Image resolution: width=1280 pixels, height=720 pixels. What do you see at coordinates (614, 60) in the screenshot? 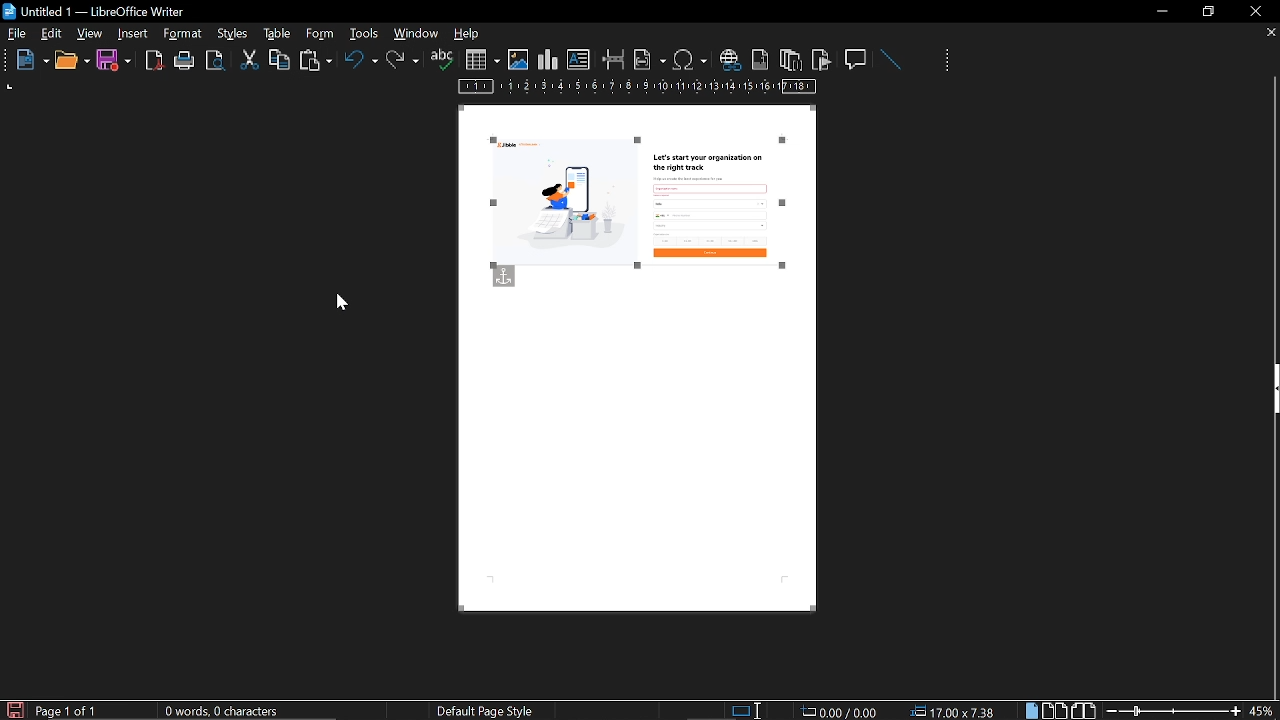
I see `insert page break` at bounding box center [614, 60].